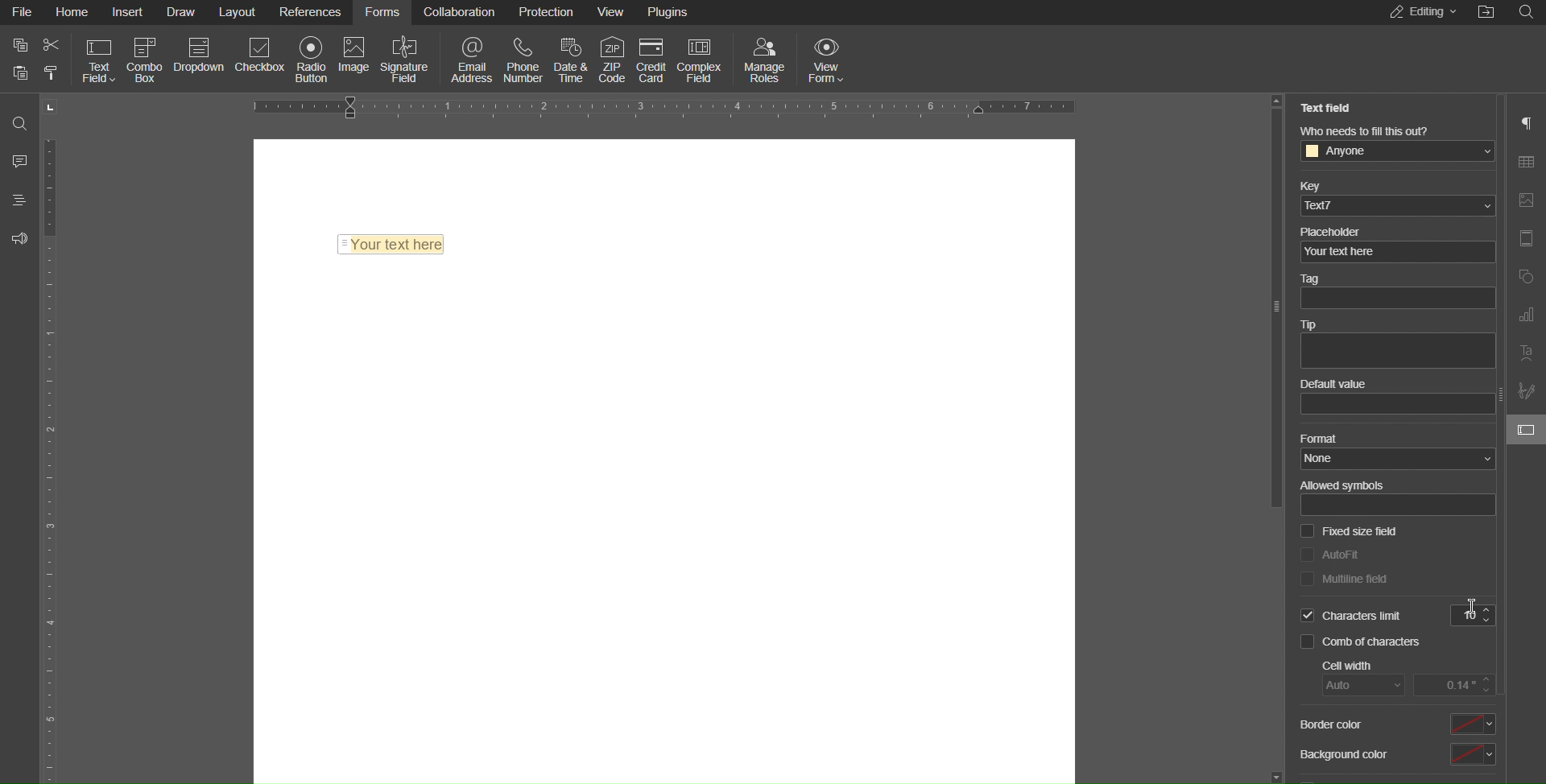 The width and height of the screenshot is (1546, 784). I want to click on Checkbox, so click(267, 58).